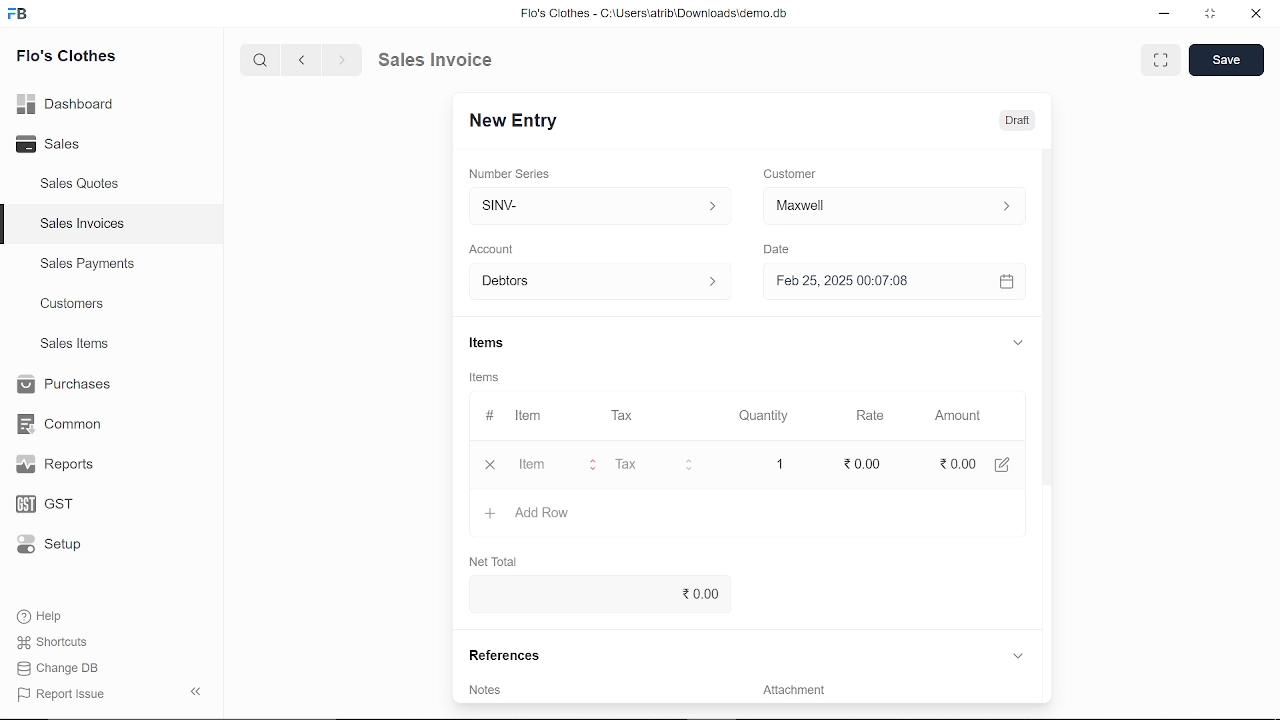 Image resolution: width=1280 pixels, height=720 pixels. Describe the element at coordinates (42, 616) in the screenshot. I see `Help` at that location.